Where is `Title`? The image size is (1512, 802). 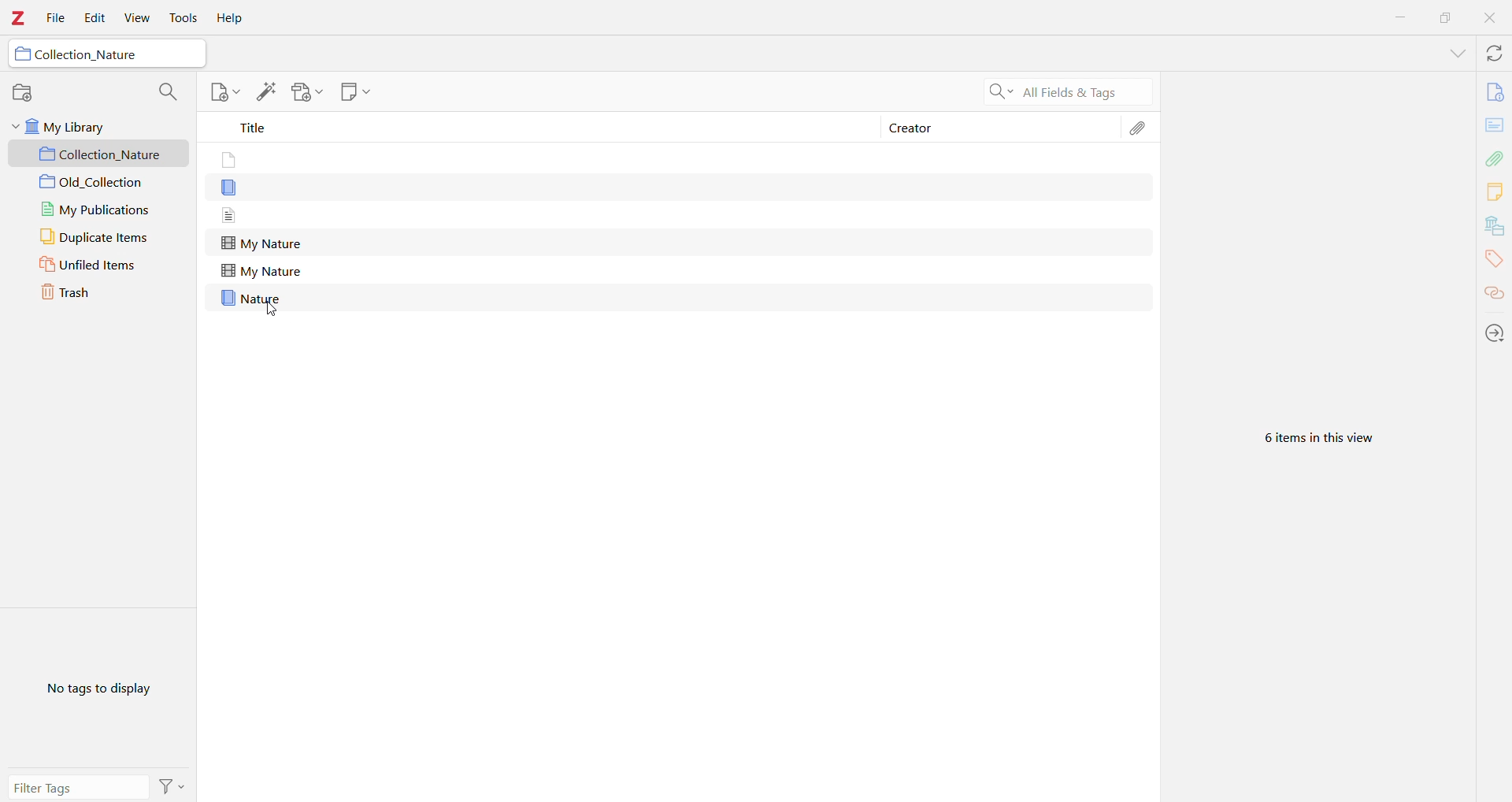
Title is located at coordinates (535, 127).